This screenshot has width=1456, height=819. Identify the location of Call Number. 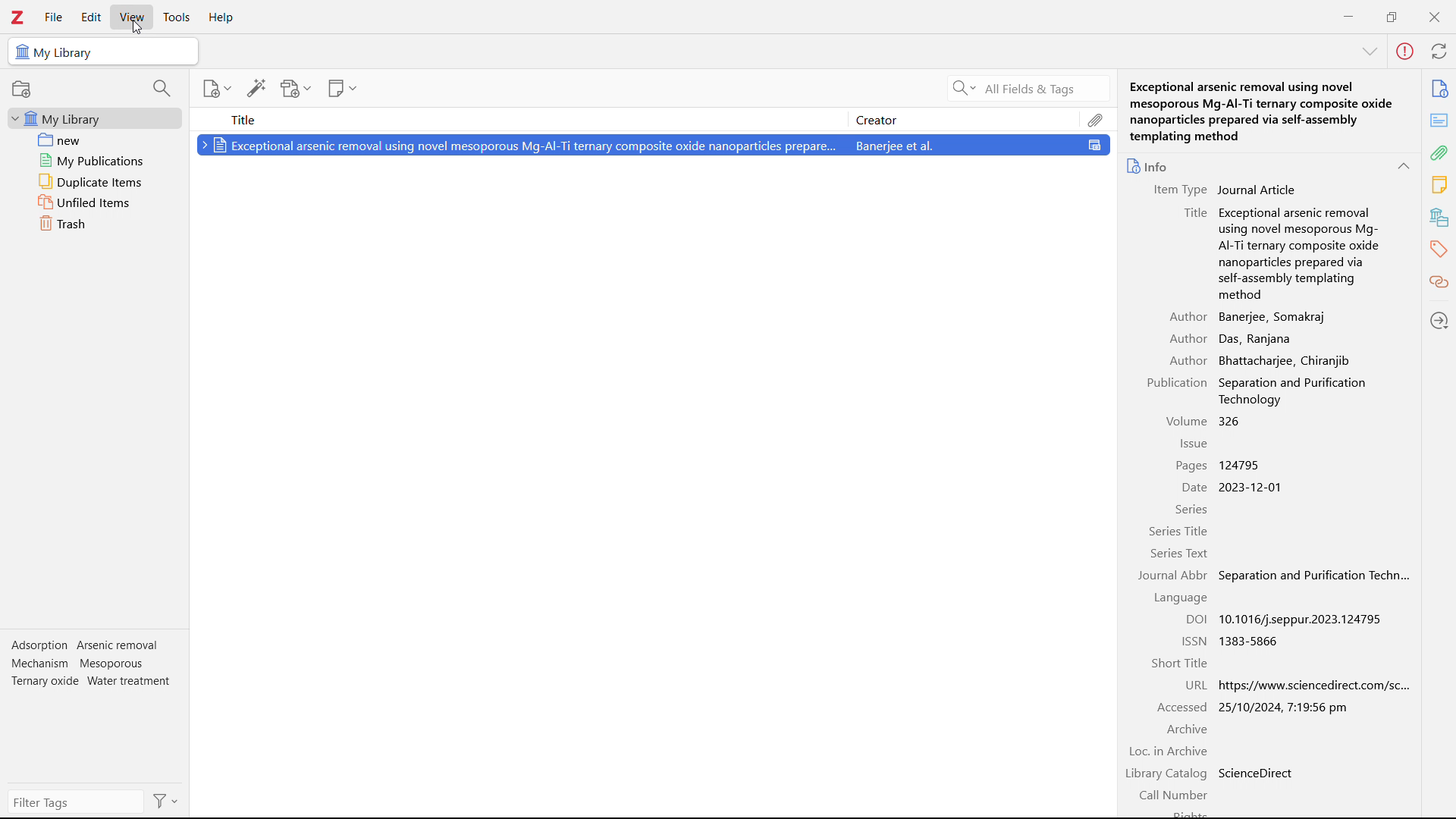
(1173, 792).